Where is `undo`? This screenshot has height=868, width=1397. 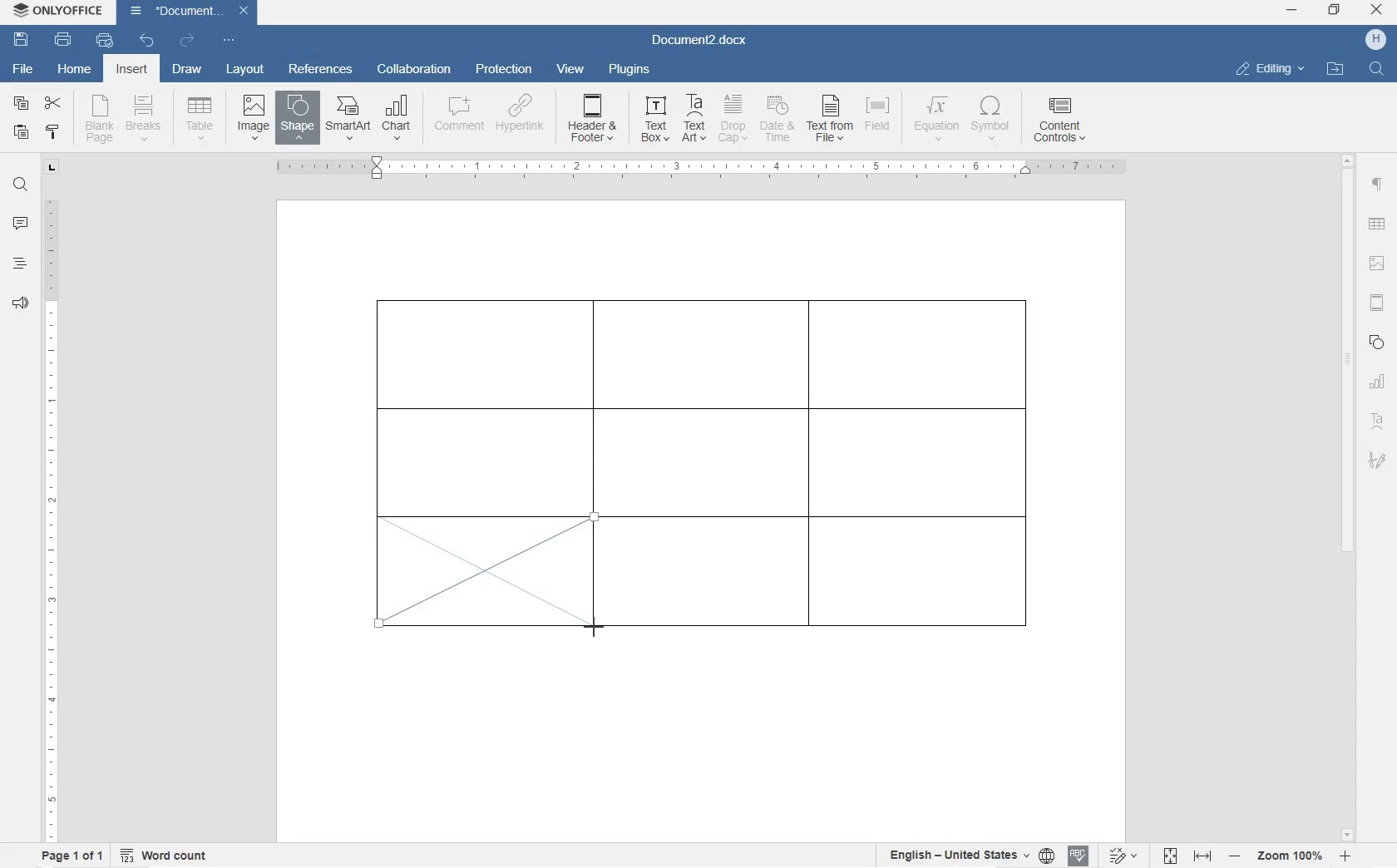 undo is located at coordinates (146, 41).